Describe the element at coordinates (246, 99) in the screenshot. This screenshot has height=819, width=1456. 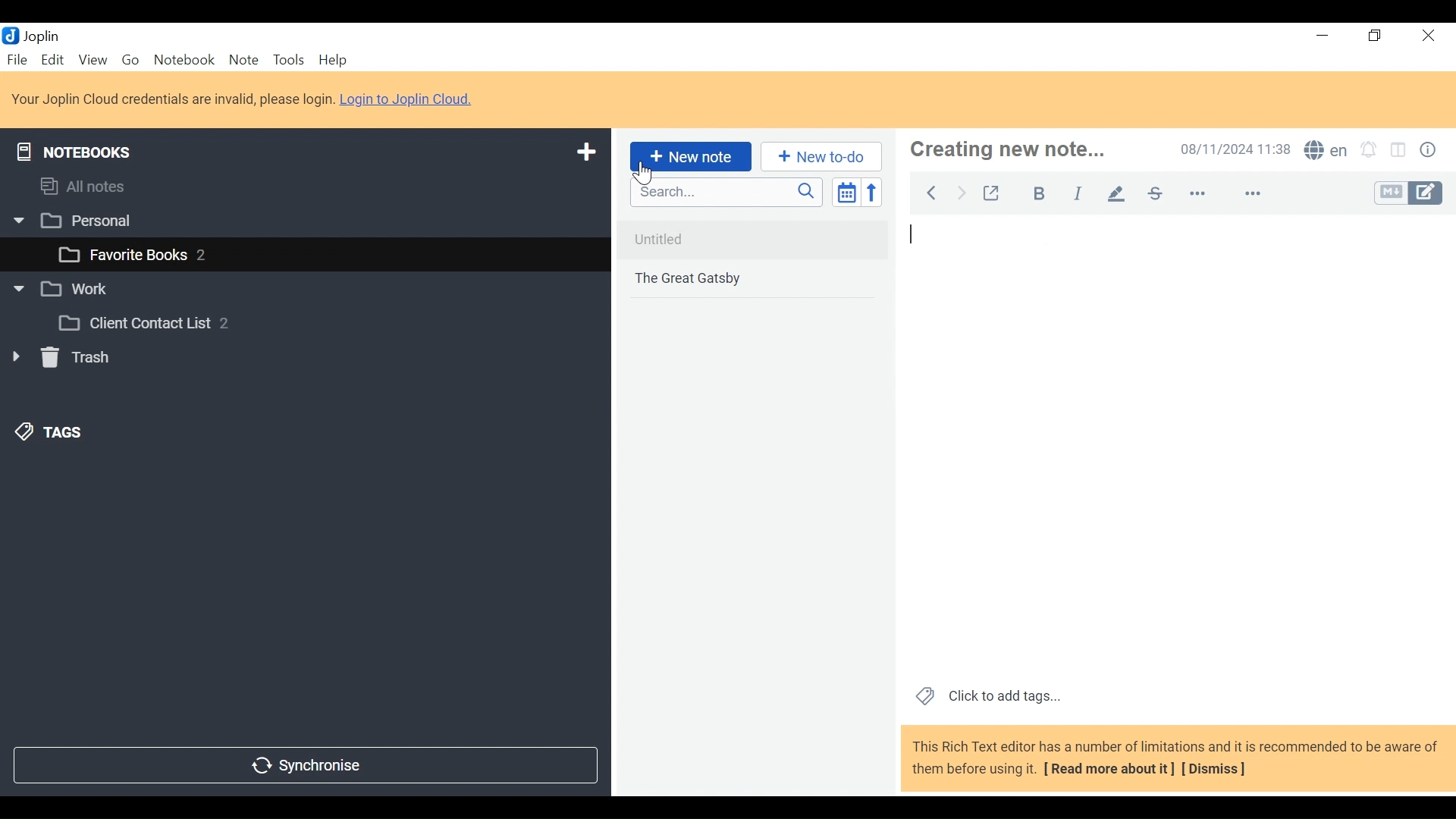
I see `Your Joplin Cloud credentials are invalid, please login. Login to Joplin Cloud.` at that location.